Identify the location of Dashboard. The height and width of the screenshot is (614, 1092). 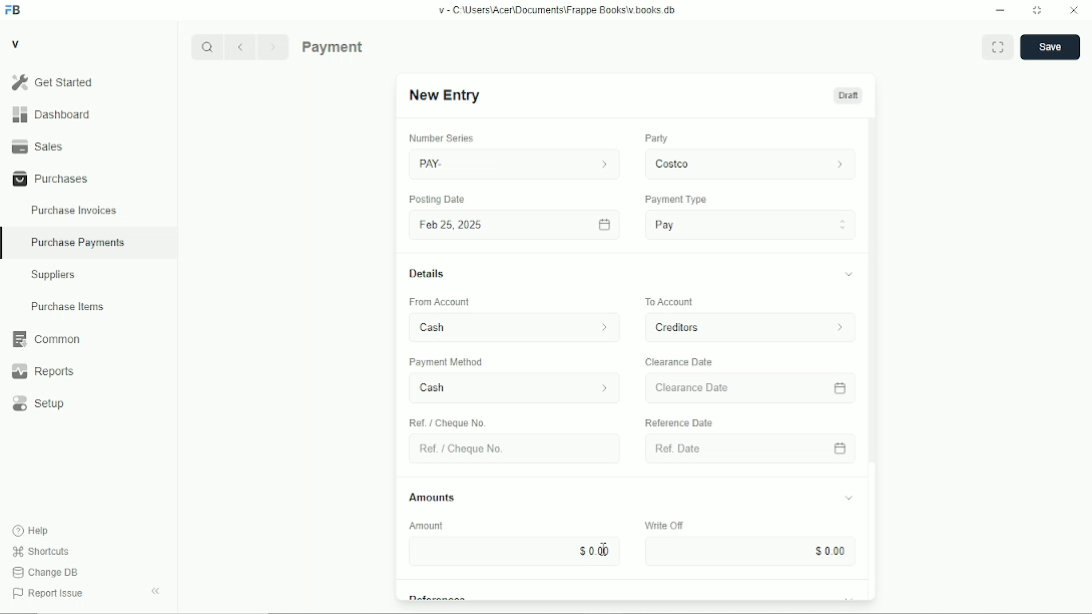
(88, 114).